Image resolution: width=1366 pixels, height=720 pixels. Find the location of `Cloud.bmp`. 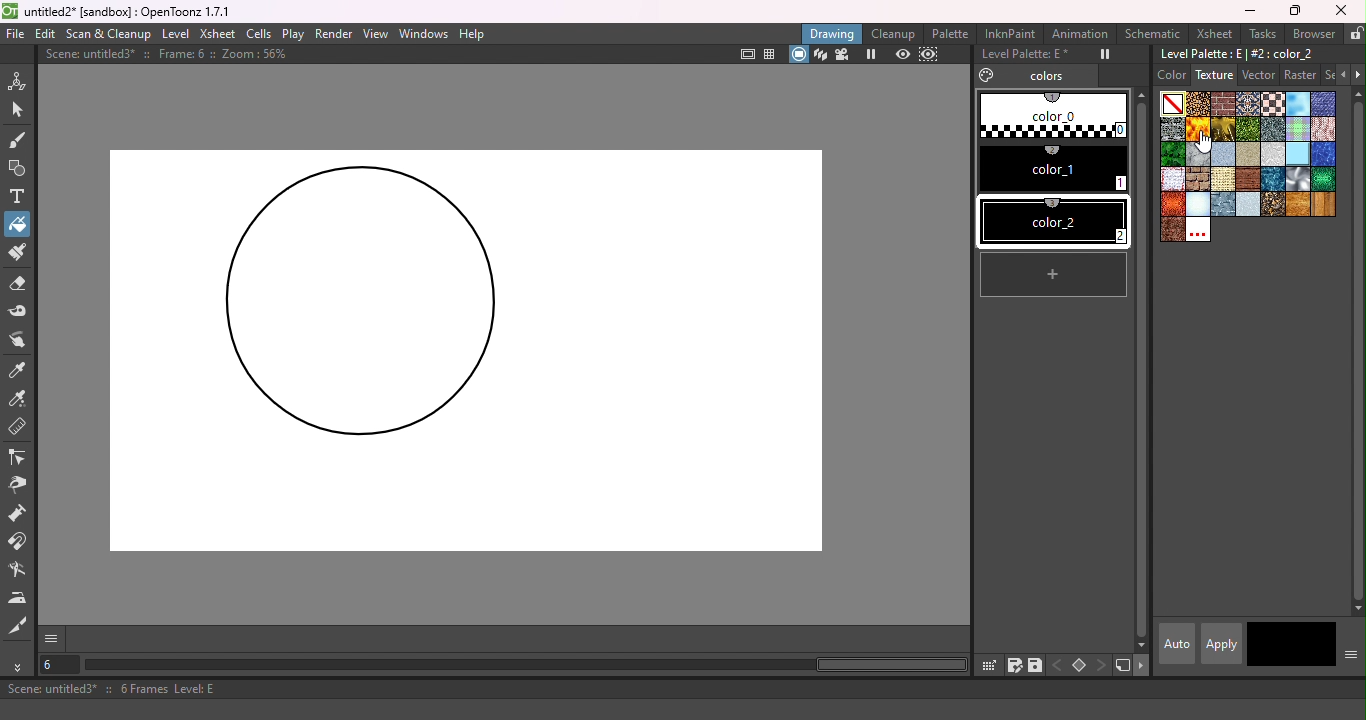

Cloud.bmp is located at coordinates (1298, 103).